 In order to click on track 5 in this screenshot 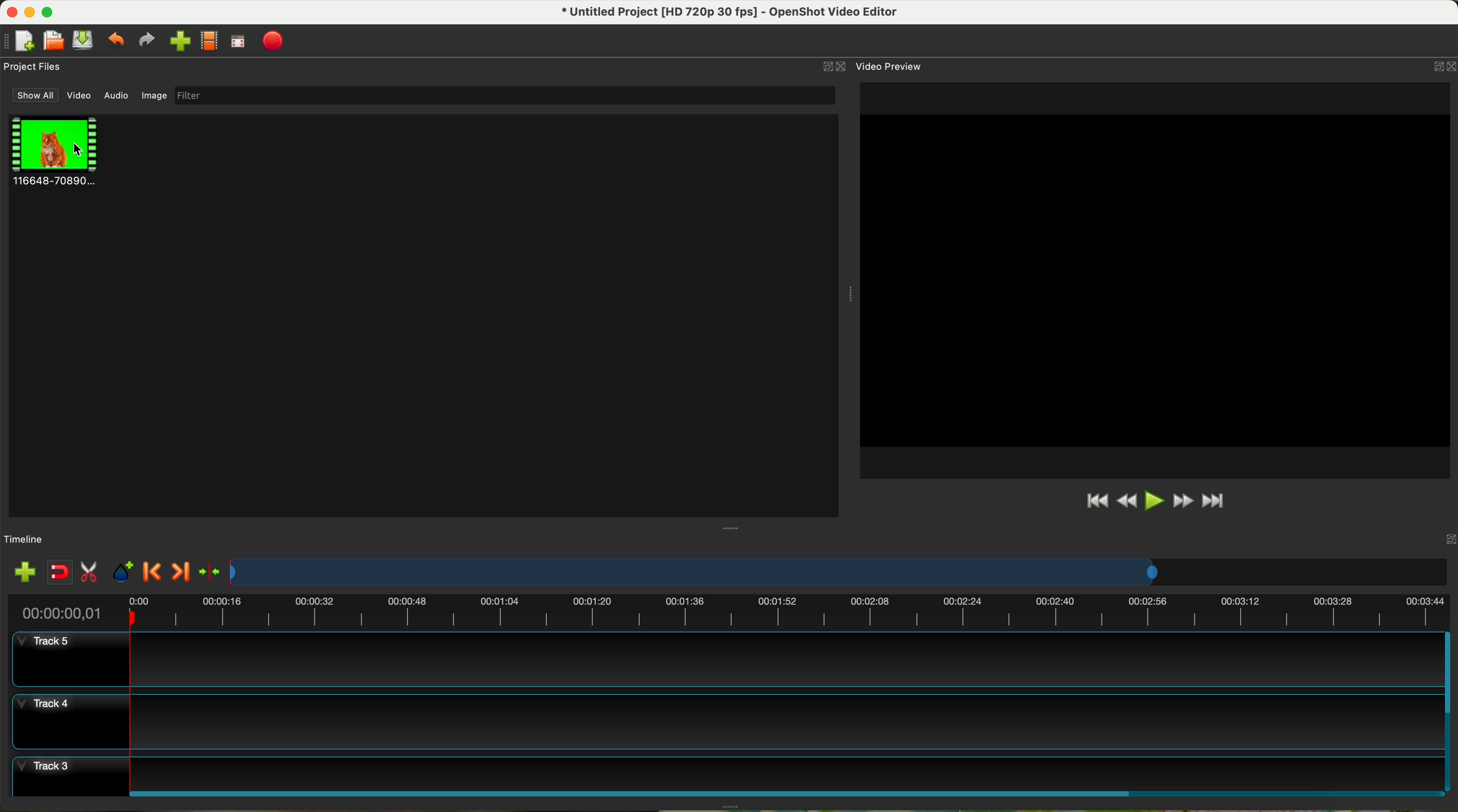, I will do `click(730, 660)`.